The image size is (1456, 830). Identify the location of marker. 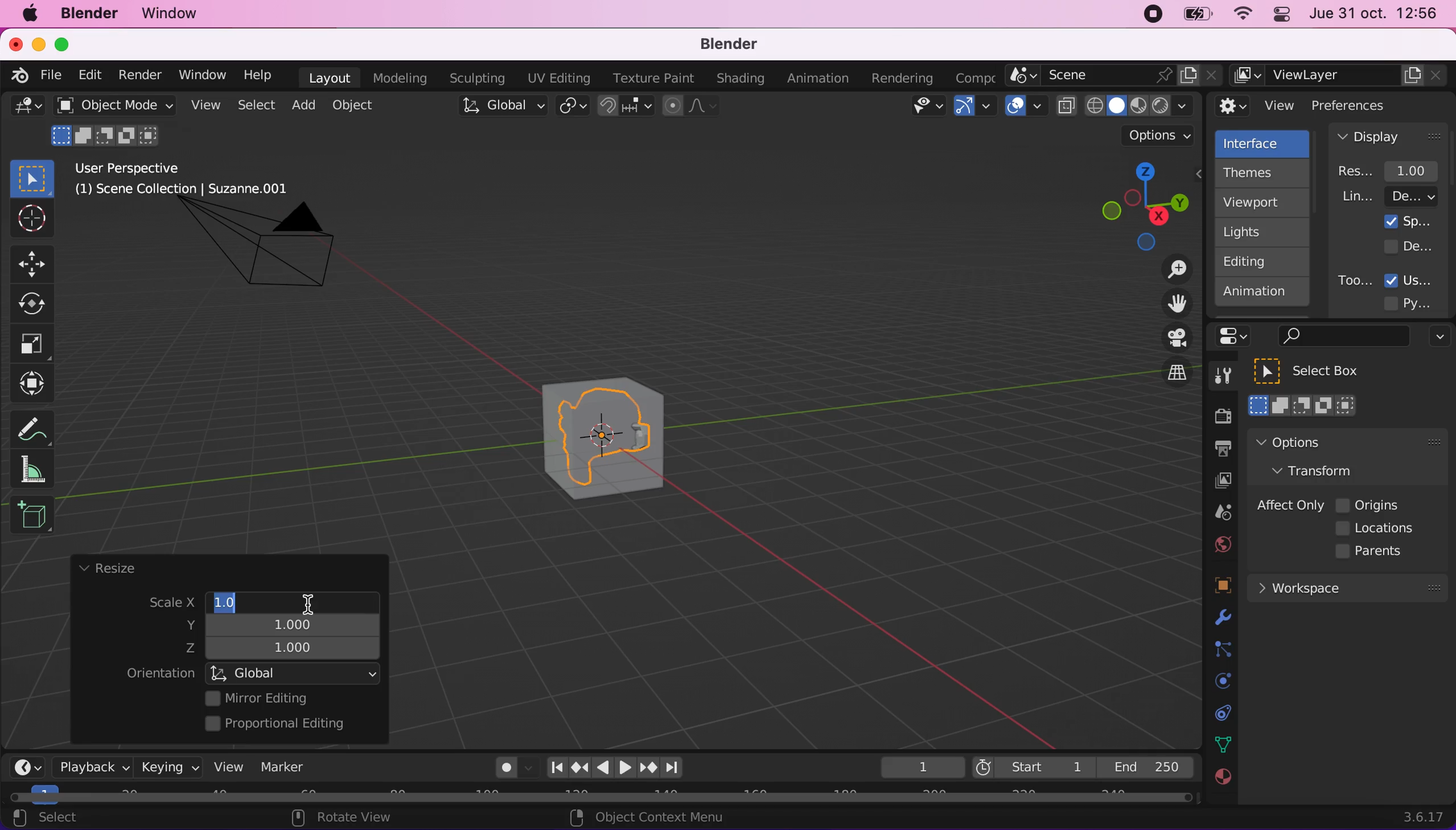
(283, 767).